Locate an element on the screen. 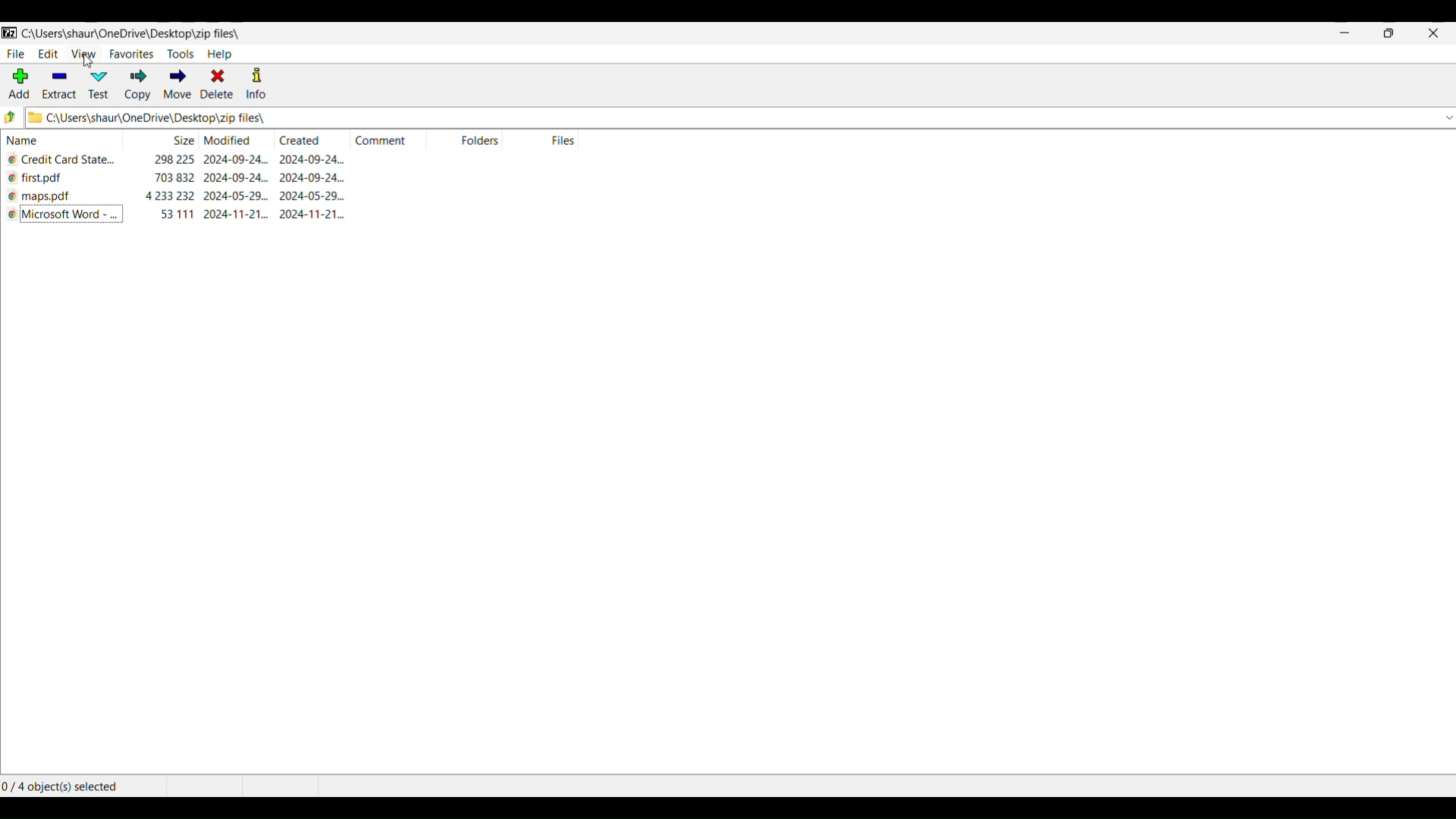 The width and height of the screenshot is (1456, 819). file is located at coordinates (16, 55).